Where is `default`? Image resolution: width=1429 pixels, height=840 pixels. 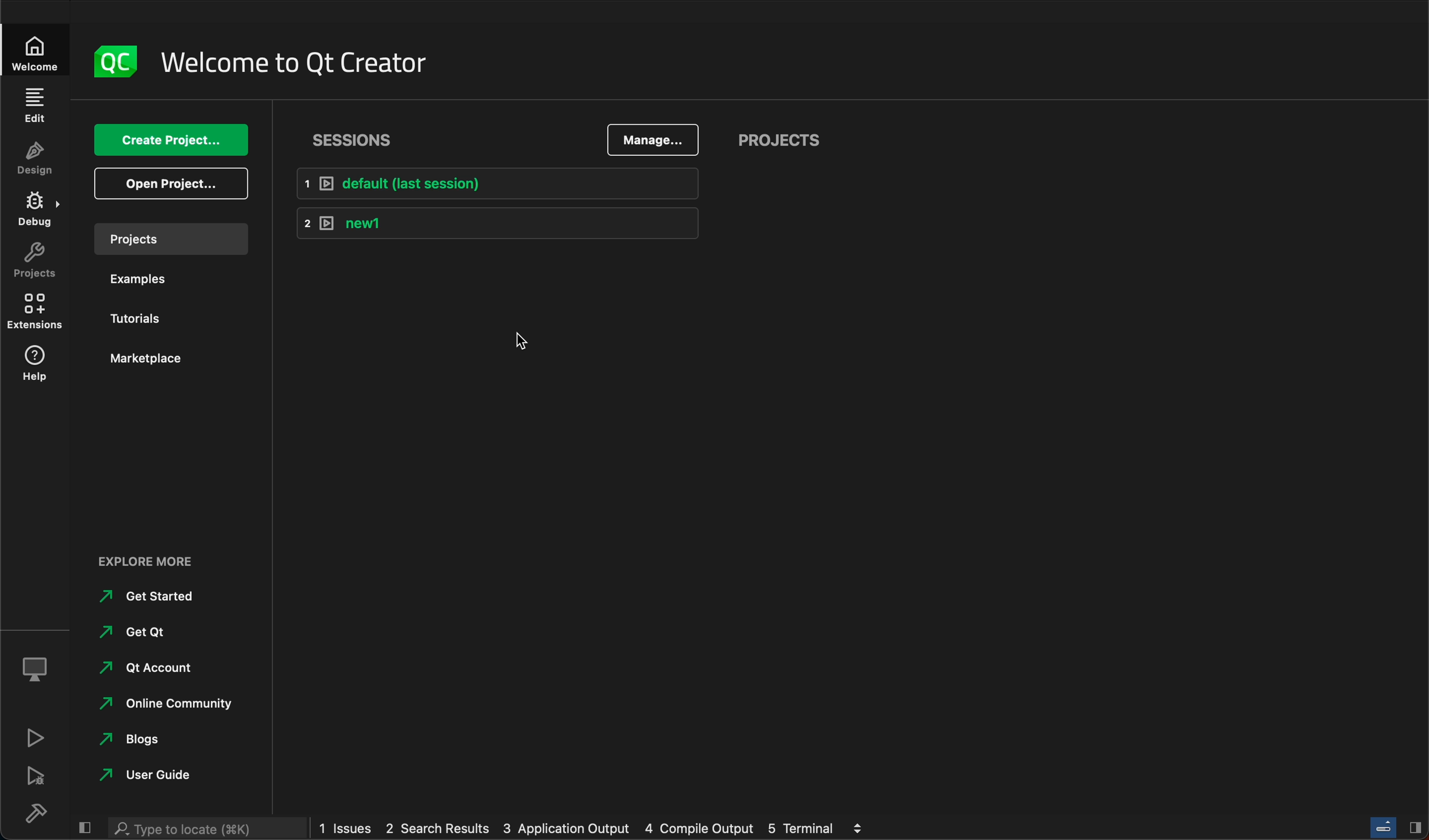 default is located at coordinates (501, 184).